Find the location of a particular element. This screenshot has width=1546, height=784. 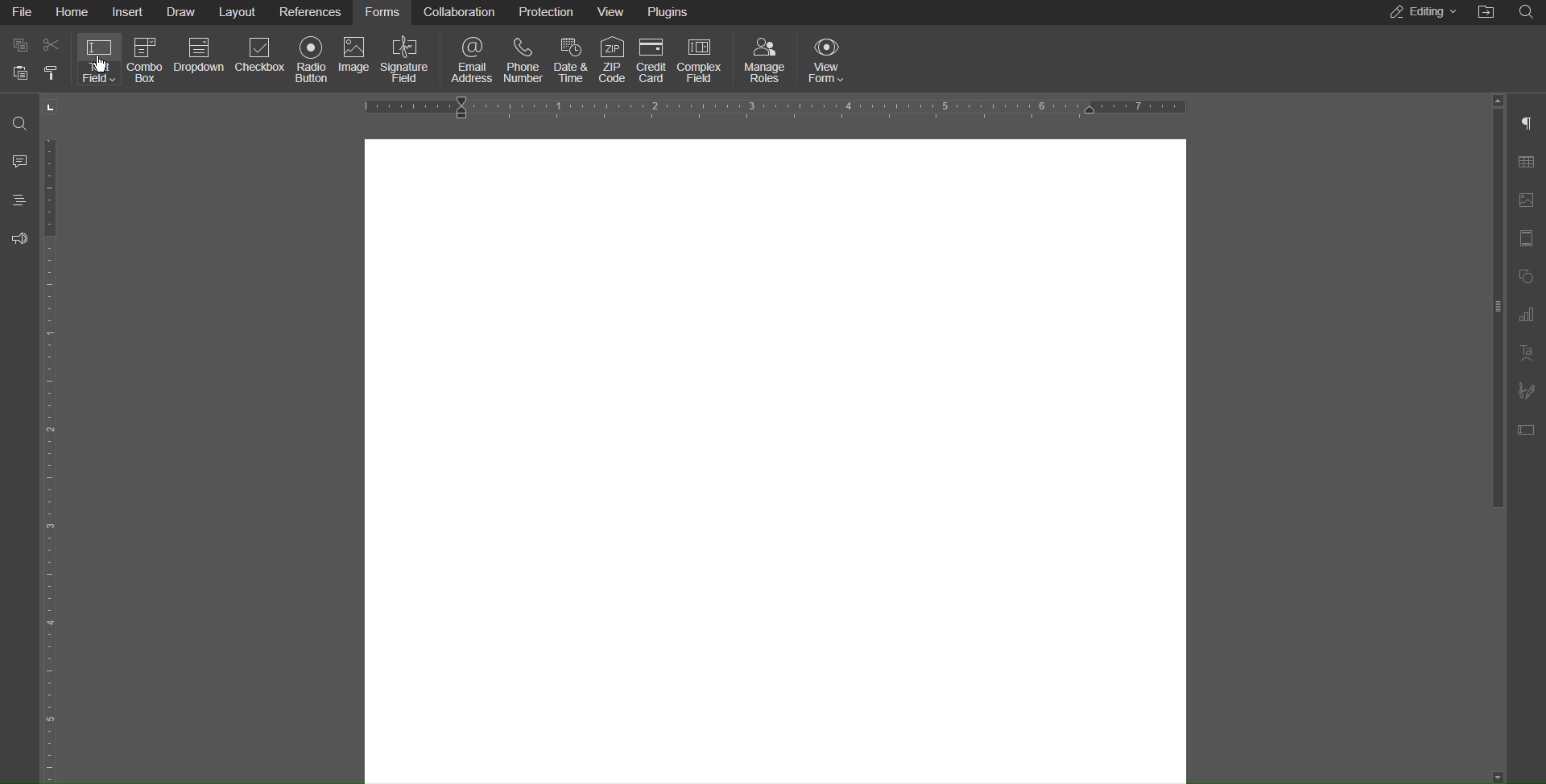

Forms is located at coordinates (384, 14).